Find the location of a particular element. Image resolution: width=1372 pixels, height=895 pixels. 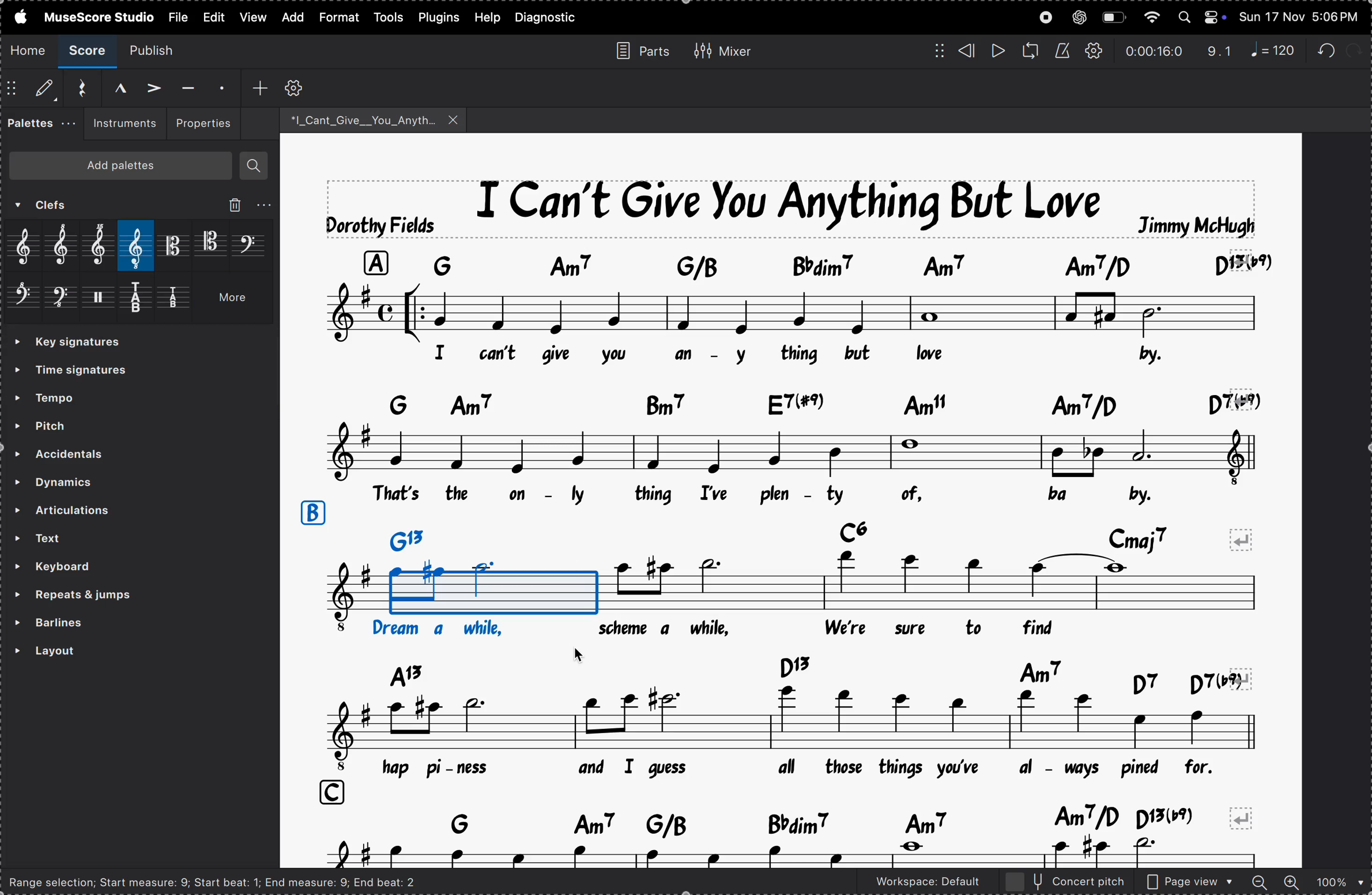

tenuto is located at coordinates (186, 88).